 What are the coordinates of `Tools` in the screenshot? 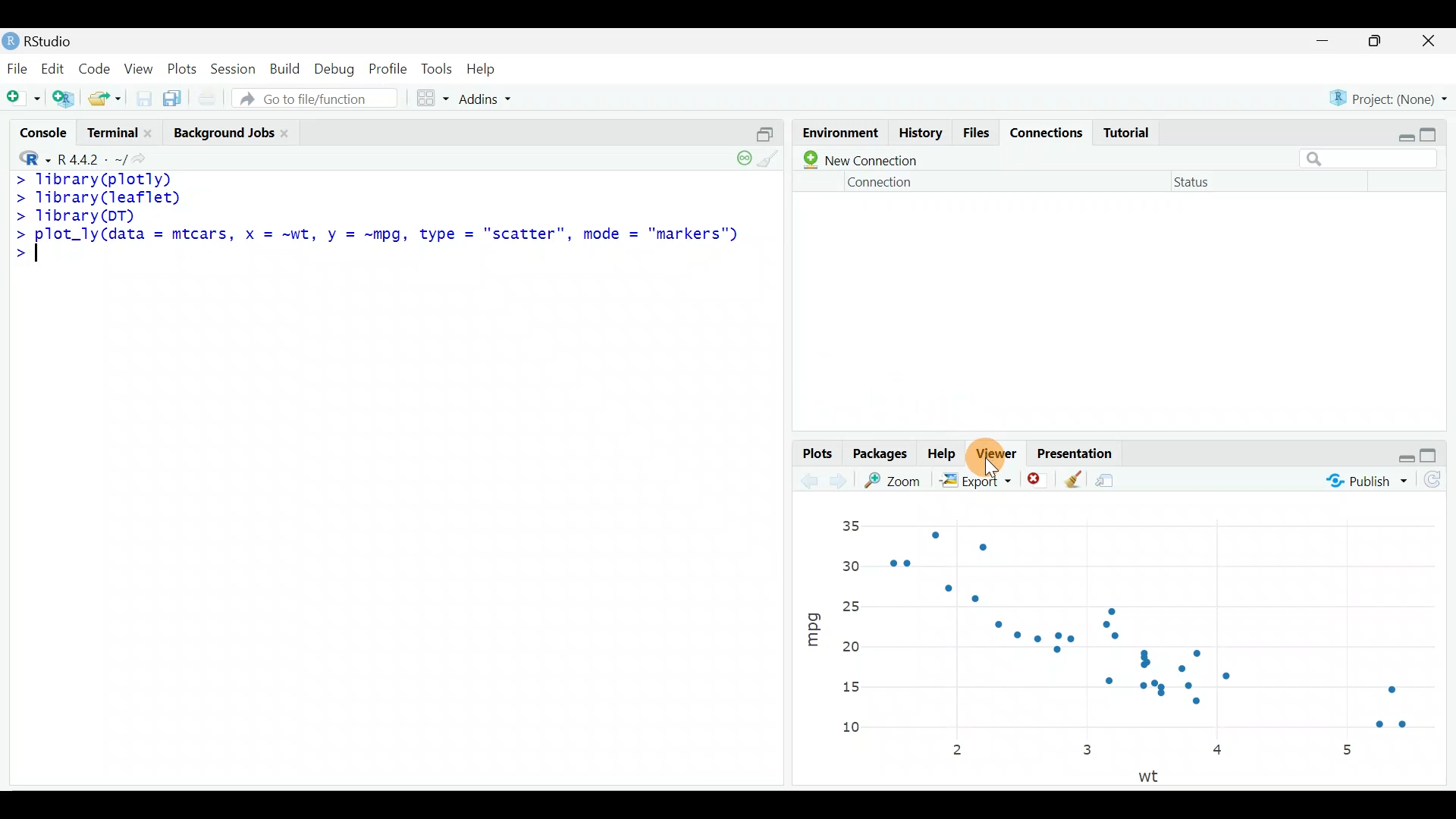 It's located at (438, 67).